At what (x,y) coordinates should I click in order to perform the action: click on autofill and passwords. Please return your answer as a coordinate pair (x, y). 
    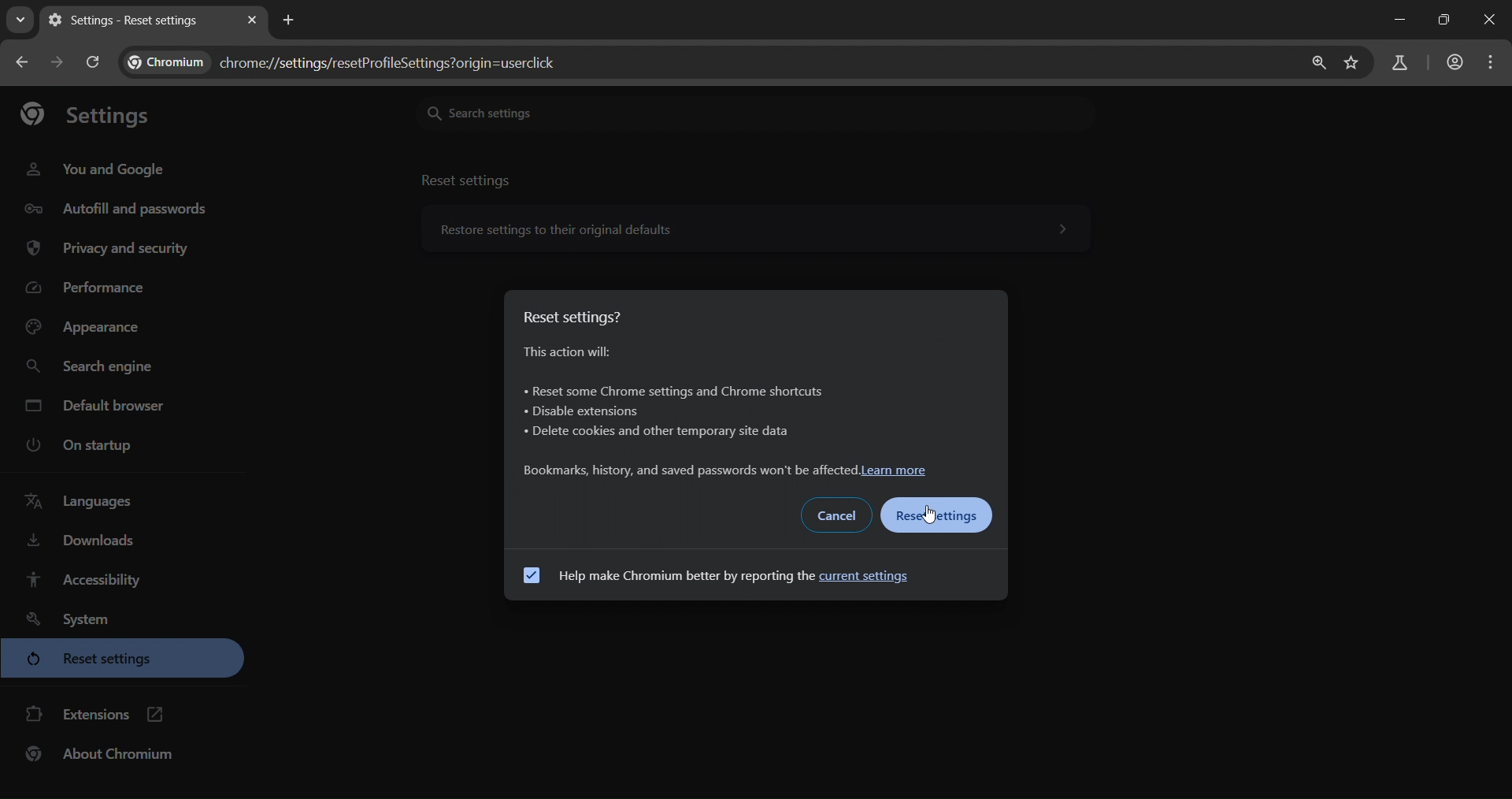
    Looking at the image, I should click on (133, 206).